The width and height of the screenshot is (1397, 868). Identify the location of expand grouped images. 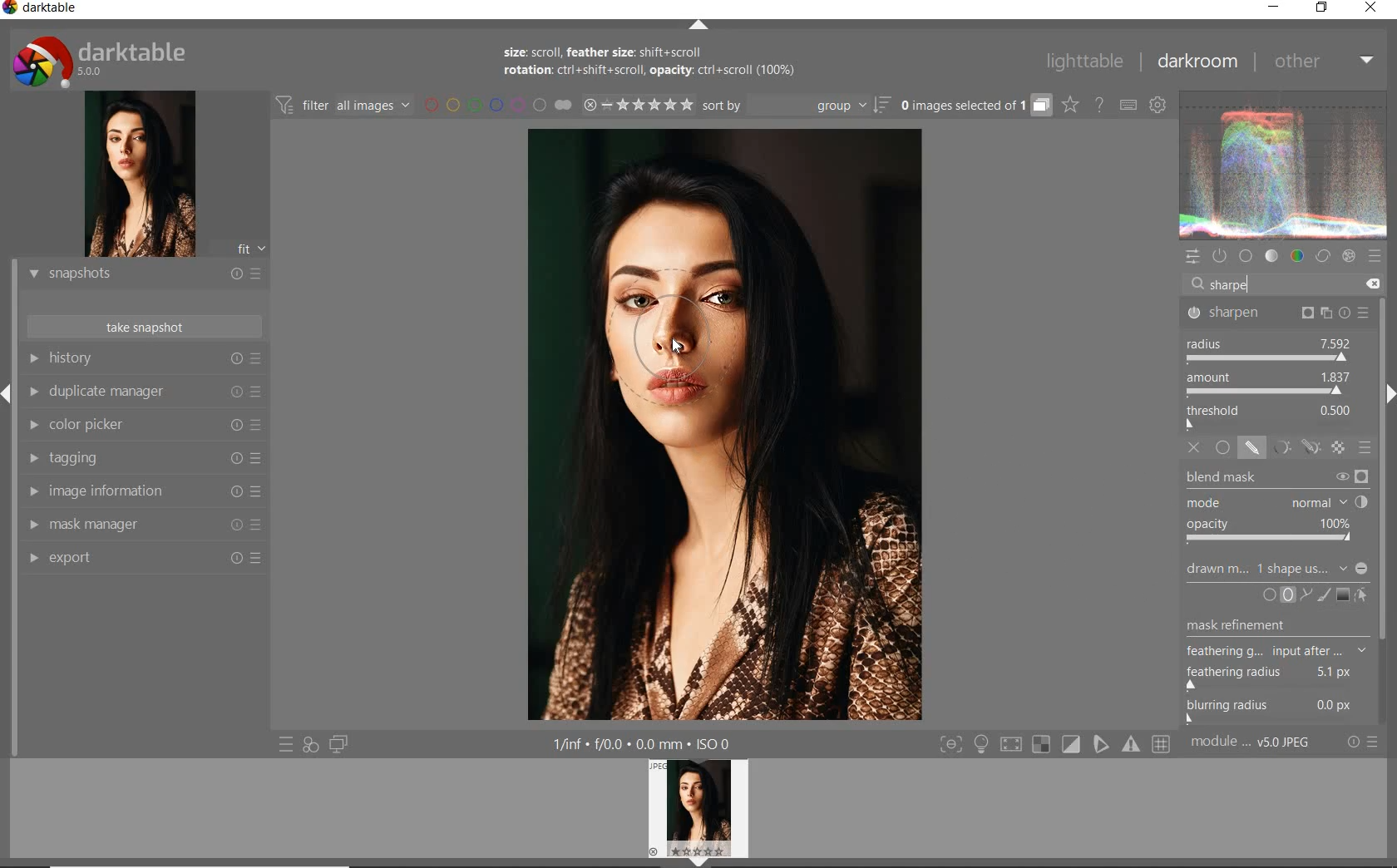
(975, 106).